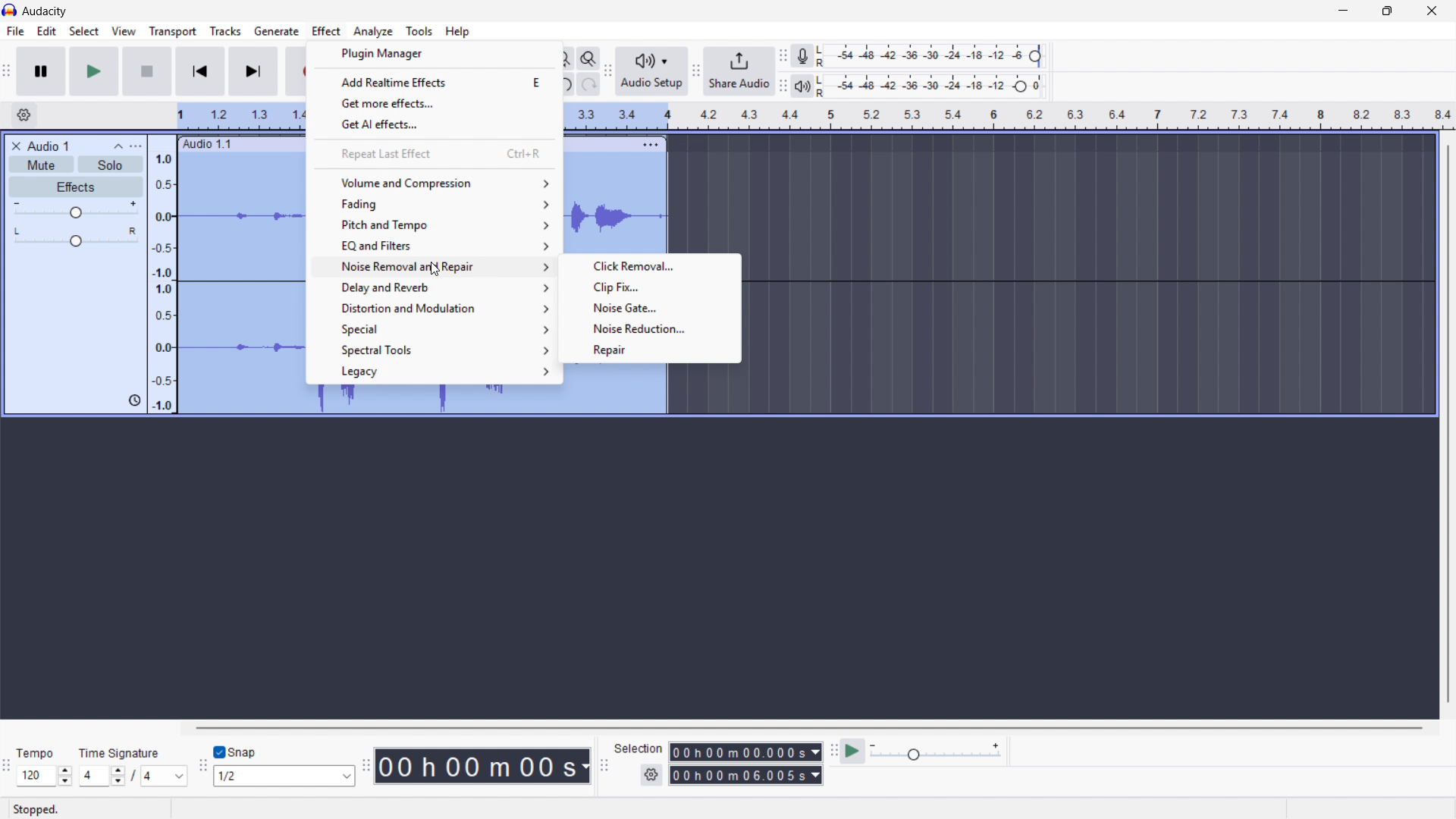 Image resolution: width=1456 pixels, height=819 pixels. Describe the element at coordinates (436, 183) in the screenshot. I see `Volume and compression ` at that location.